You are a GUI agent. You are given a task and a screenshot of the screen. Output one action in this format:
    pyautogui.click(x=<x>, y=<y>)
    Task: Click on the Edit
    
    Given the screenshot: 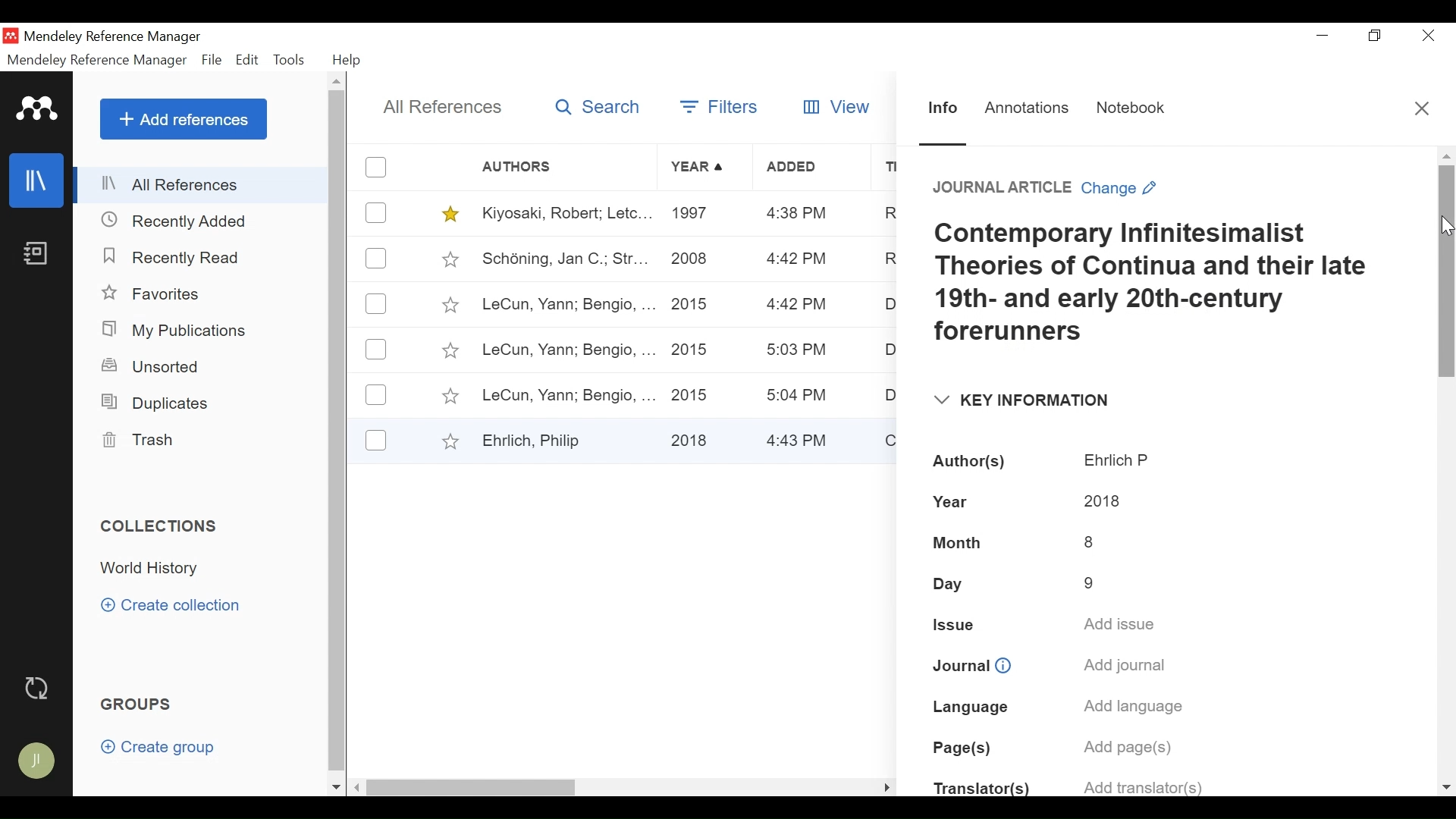 What is the action you would take?
    pyautogui.click(x=246, y=61)
    